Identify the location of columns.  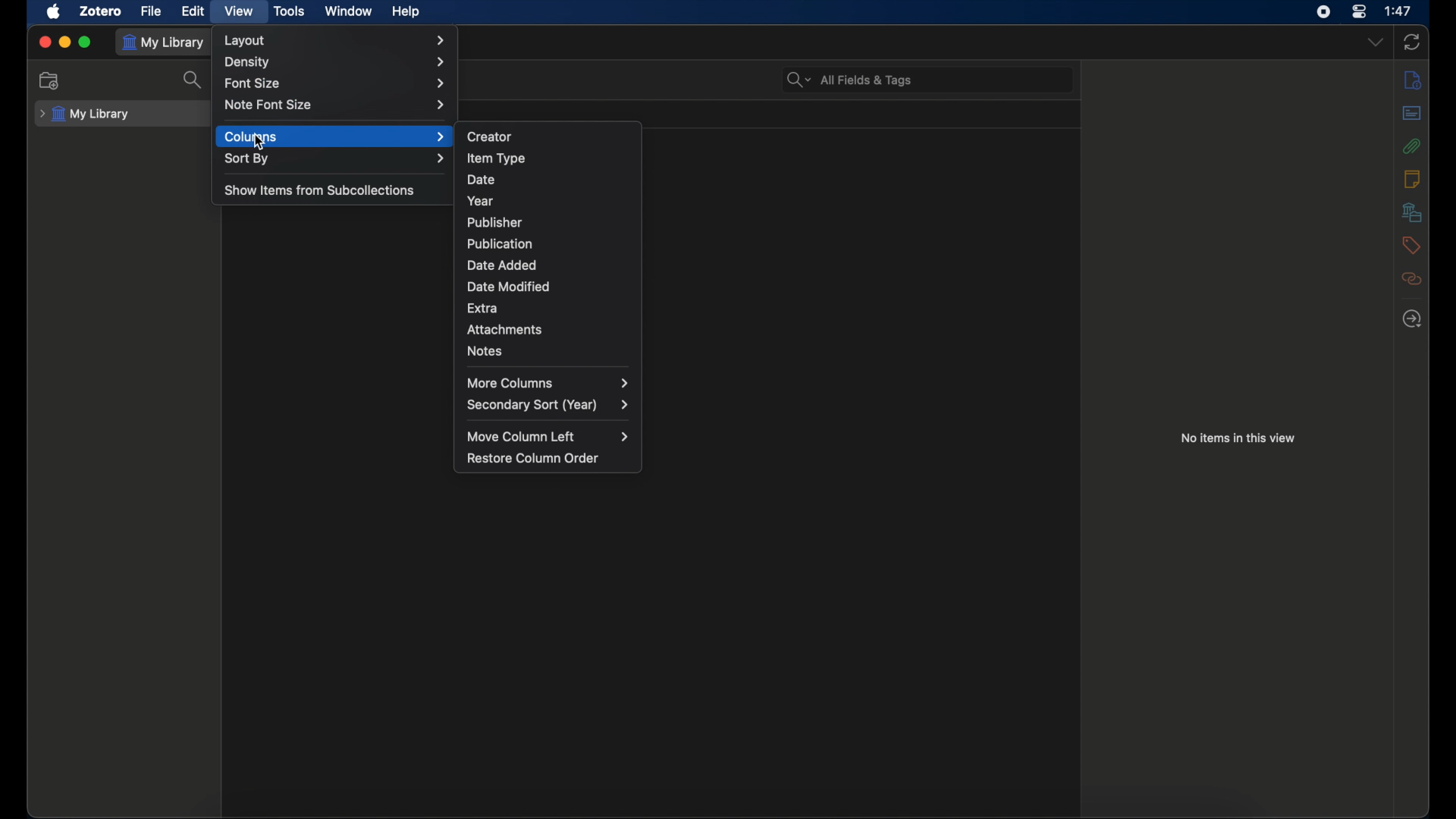
(336, 137).